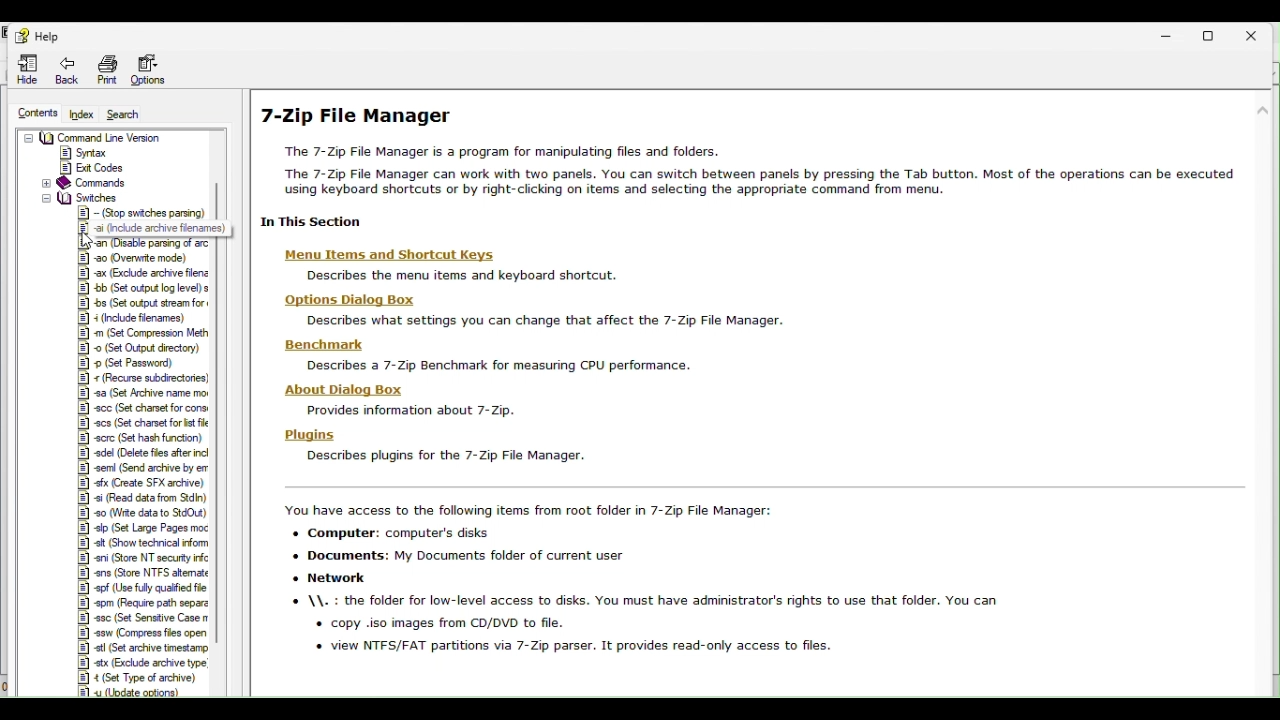  Describe the element at coordinates (143, 392) in the screenshot. I see `set archiven name` at that location.